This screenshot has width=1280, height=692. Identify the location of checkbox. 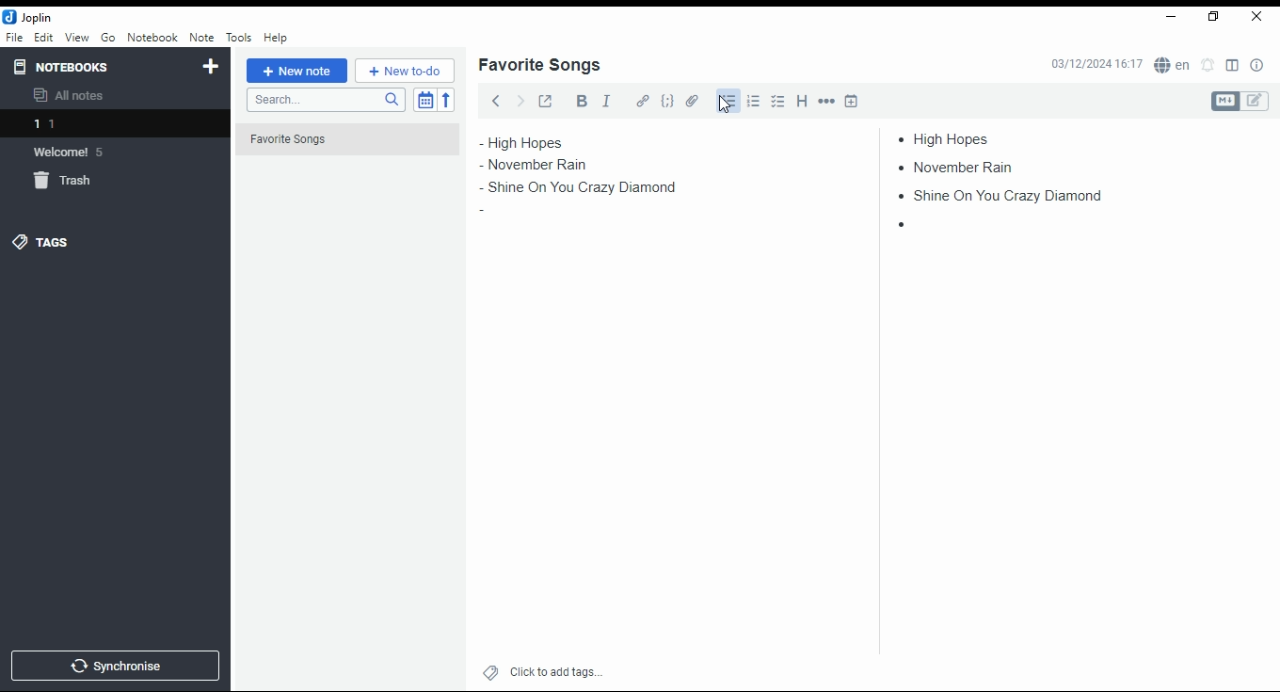
(776, 103).